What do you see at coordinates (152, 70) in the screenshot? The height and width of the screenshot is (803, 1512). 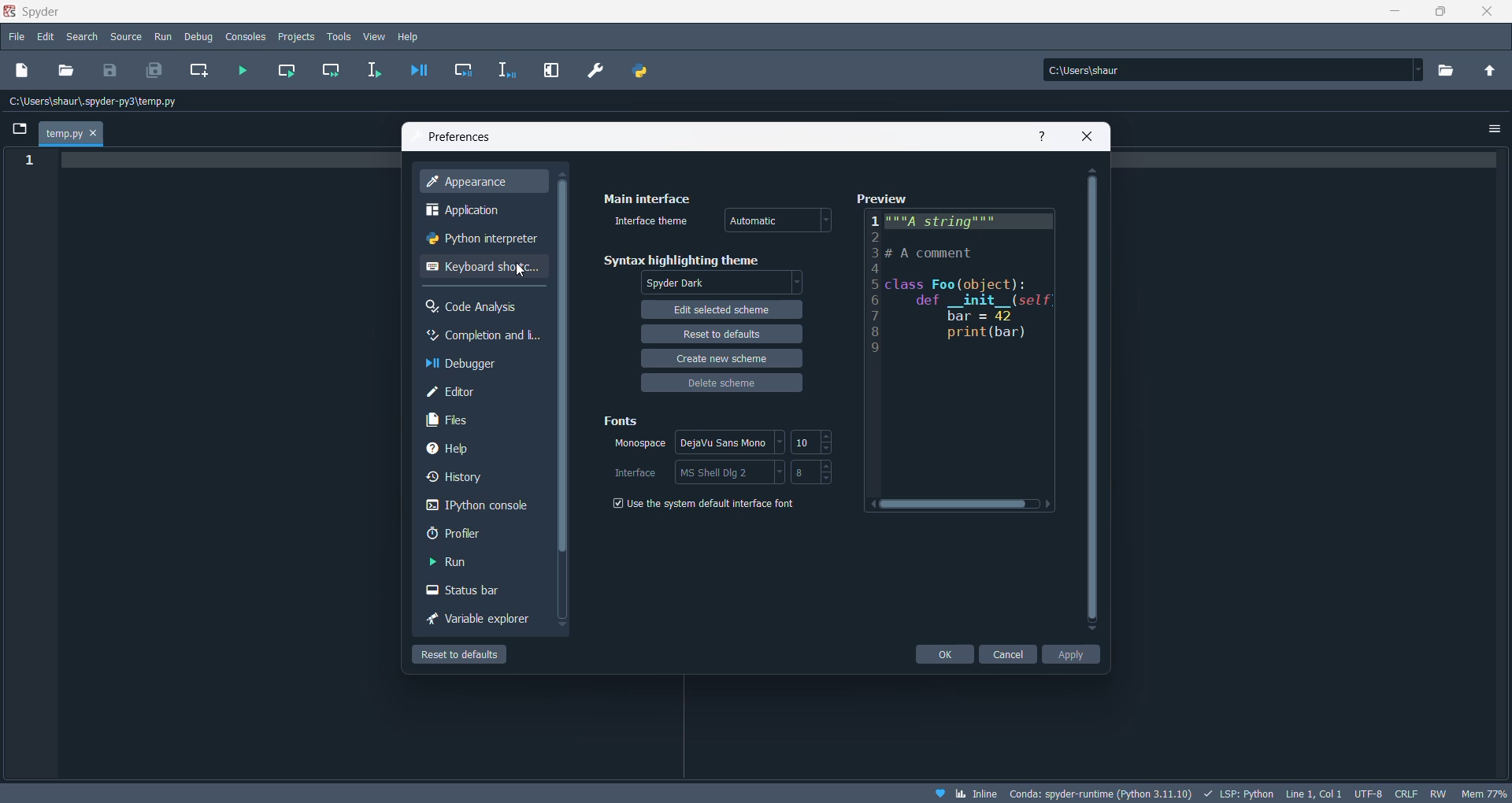 I see `save all files` at bounding box center [152, 70].